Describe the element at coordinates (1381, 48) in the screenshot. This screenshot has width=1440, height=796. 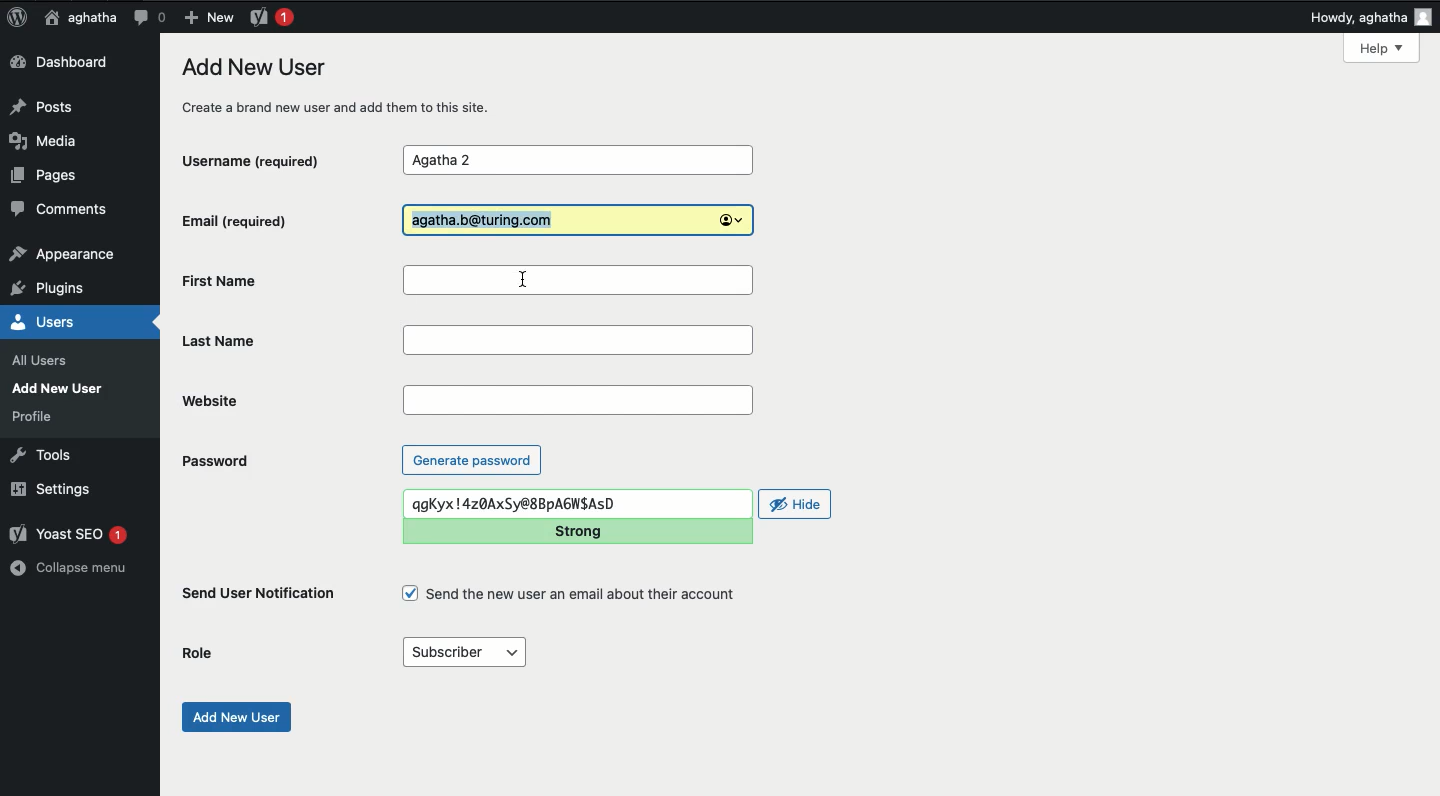
I see `Help` at that location.